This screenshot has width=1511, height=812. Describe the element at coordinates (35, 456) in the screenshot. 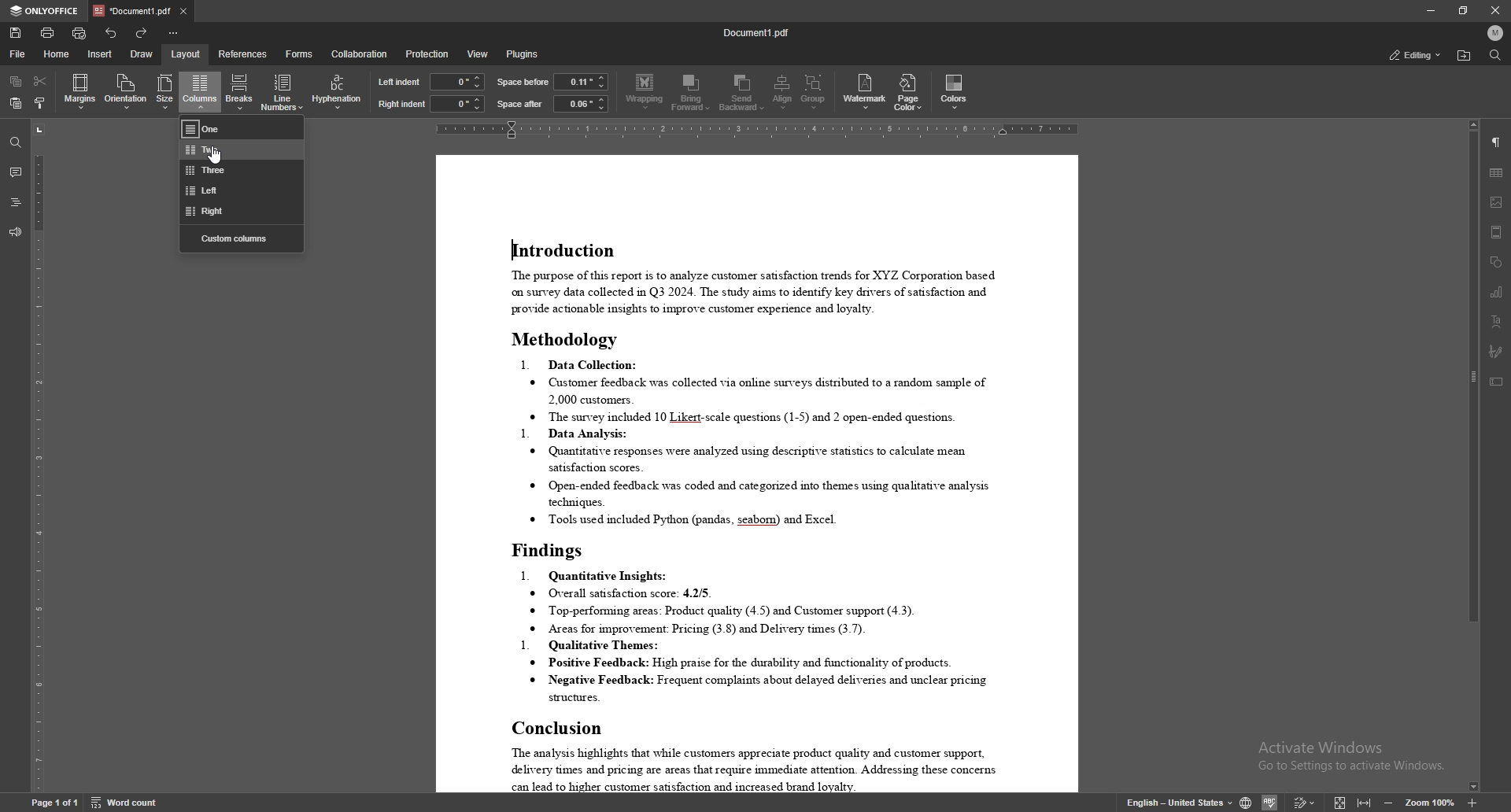

I see `vertical scale` at that location.